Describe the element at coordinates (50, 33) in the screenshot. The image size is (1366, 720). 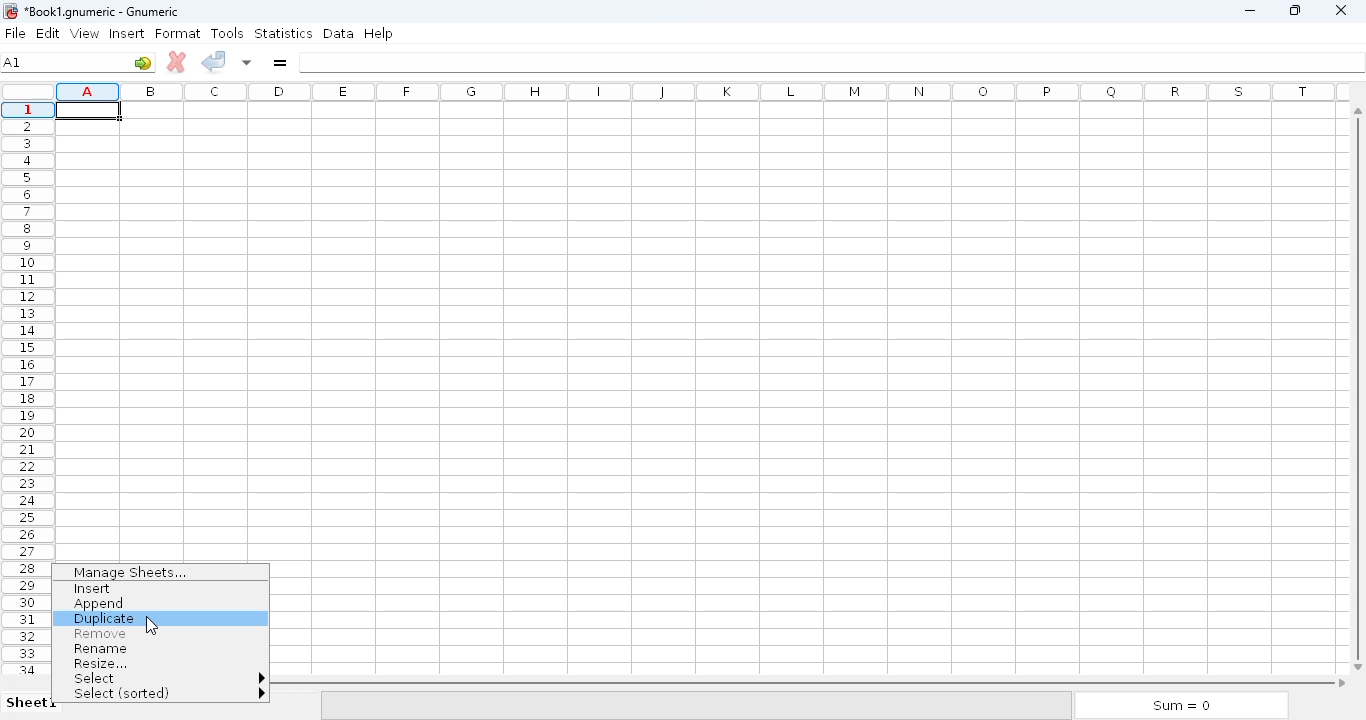
I see `edit` at that location.